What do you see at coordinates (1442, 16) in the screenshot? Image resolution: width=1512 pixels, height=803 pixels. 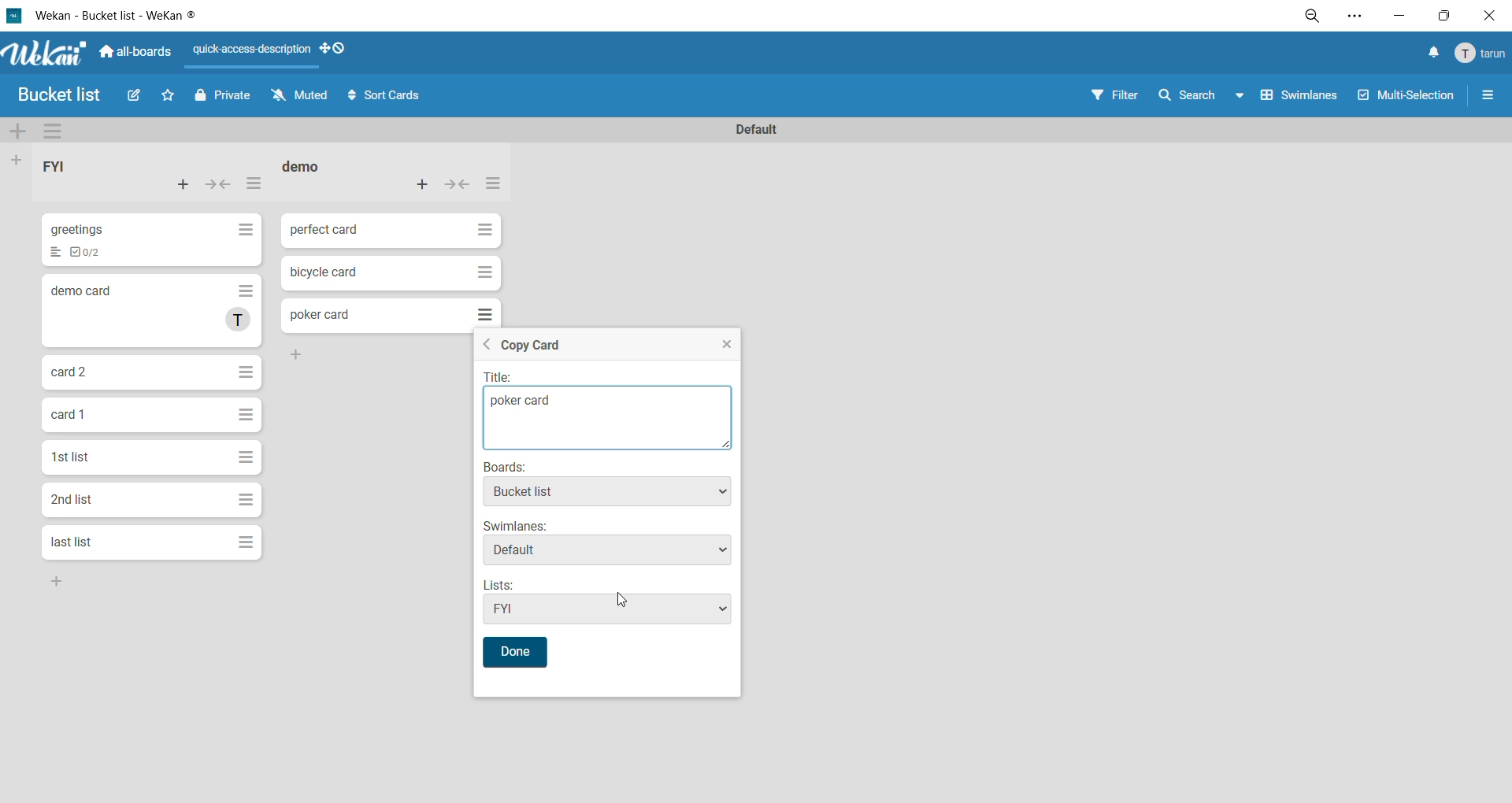 I see `maximize` at bounding box center [1442, 16].